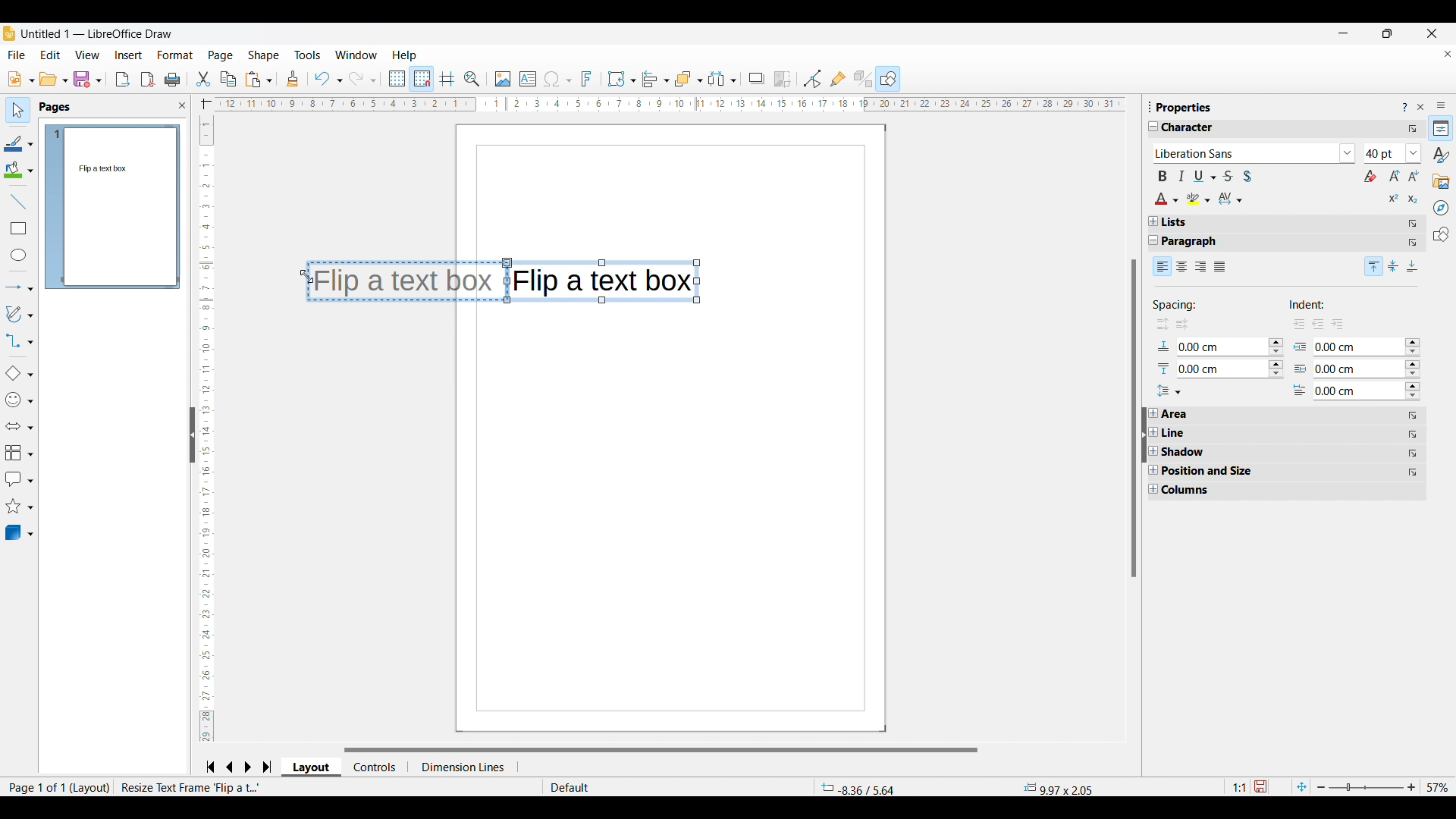 The image size is (1456, 819). What do you see at coordinates (661, 750) in the screenshot?
I see `Horizontal slider` at bounding box center [661, 750].